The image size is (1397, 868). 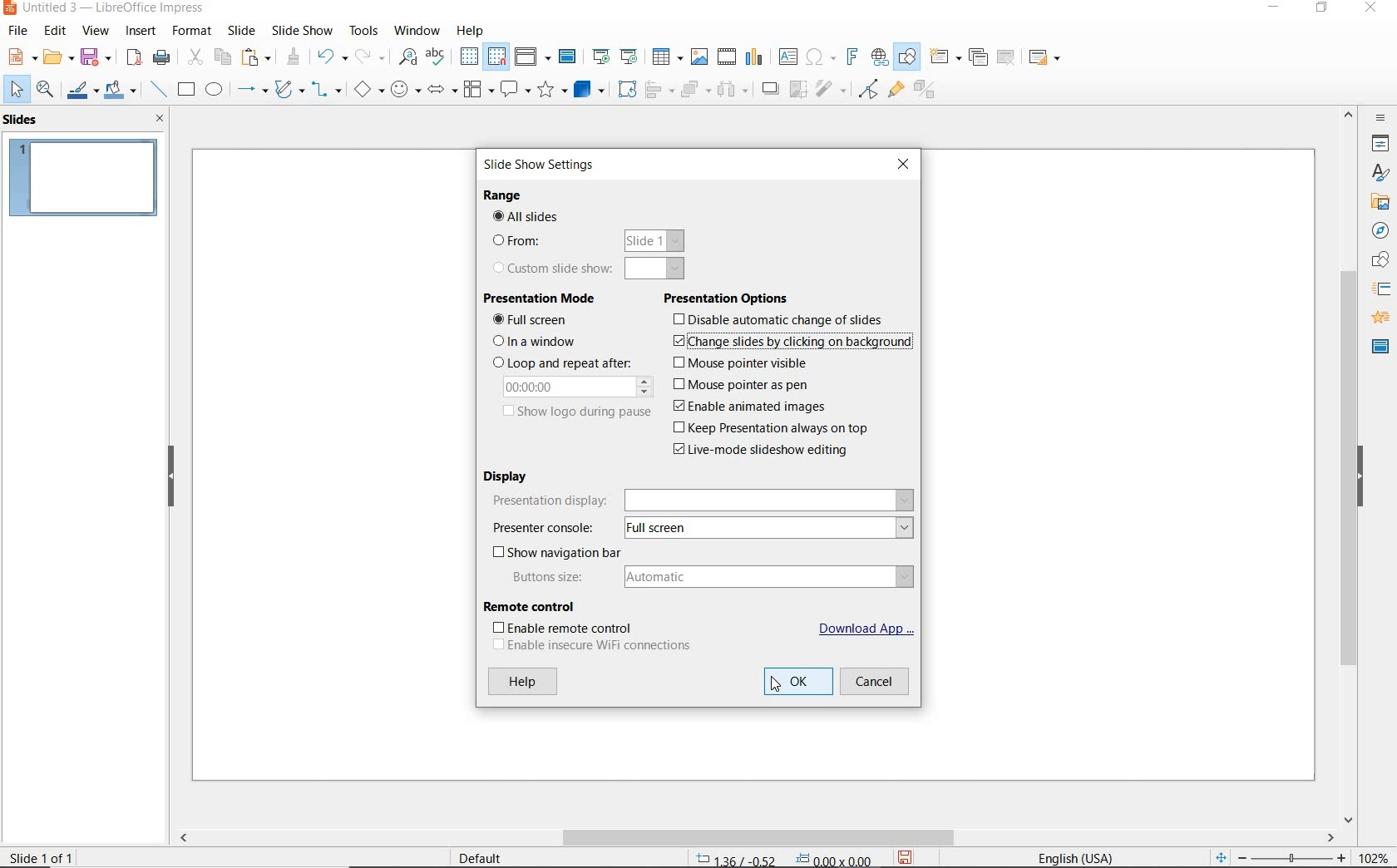 I want to click on STYLES, so click(x=1380, y=174).